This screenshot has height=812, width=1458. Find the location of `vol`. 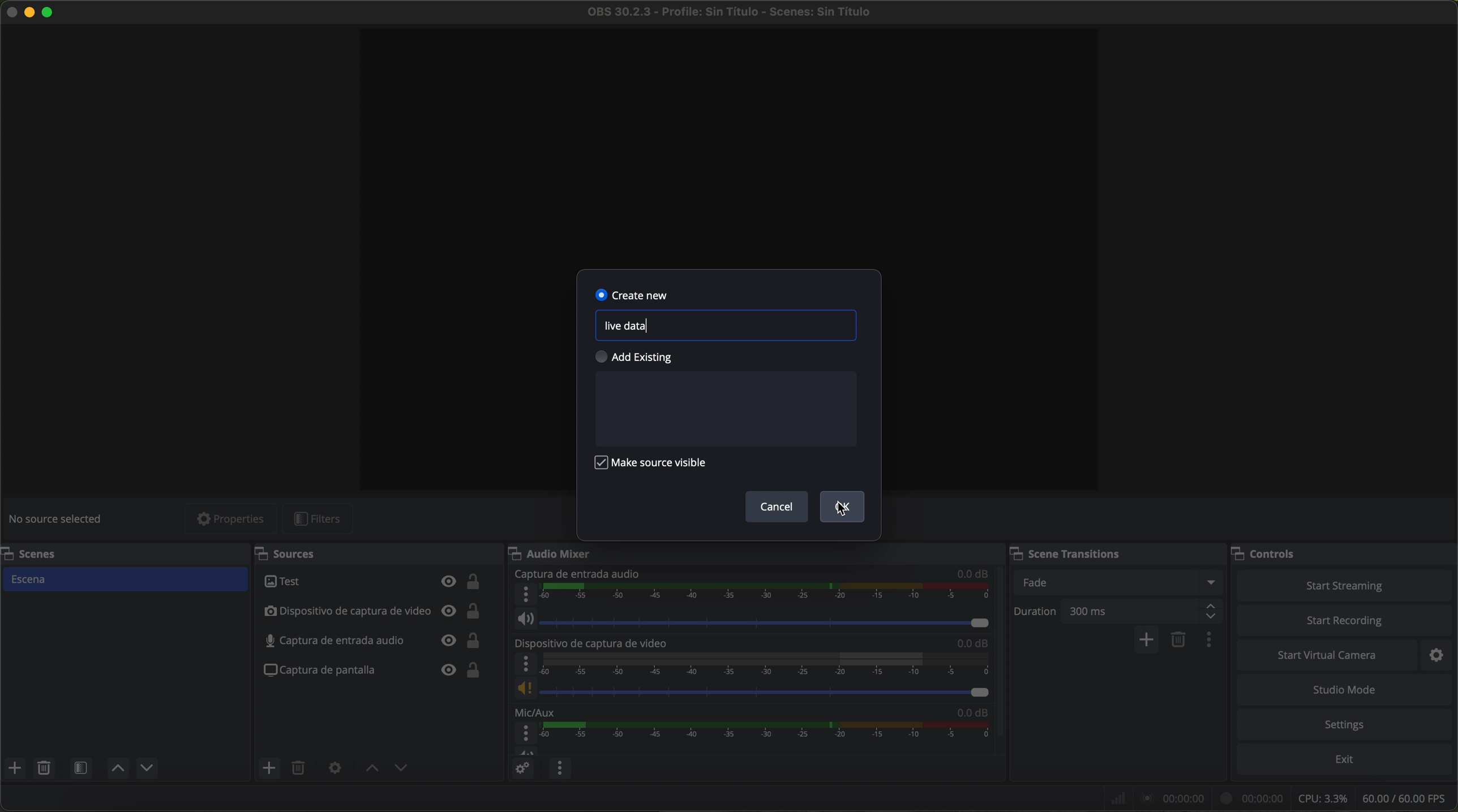

vol is located at coordinates (752, 689).